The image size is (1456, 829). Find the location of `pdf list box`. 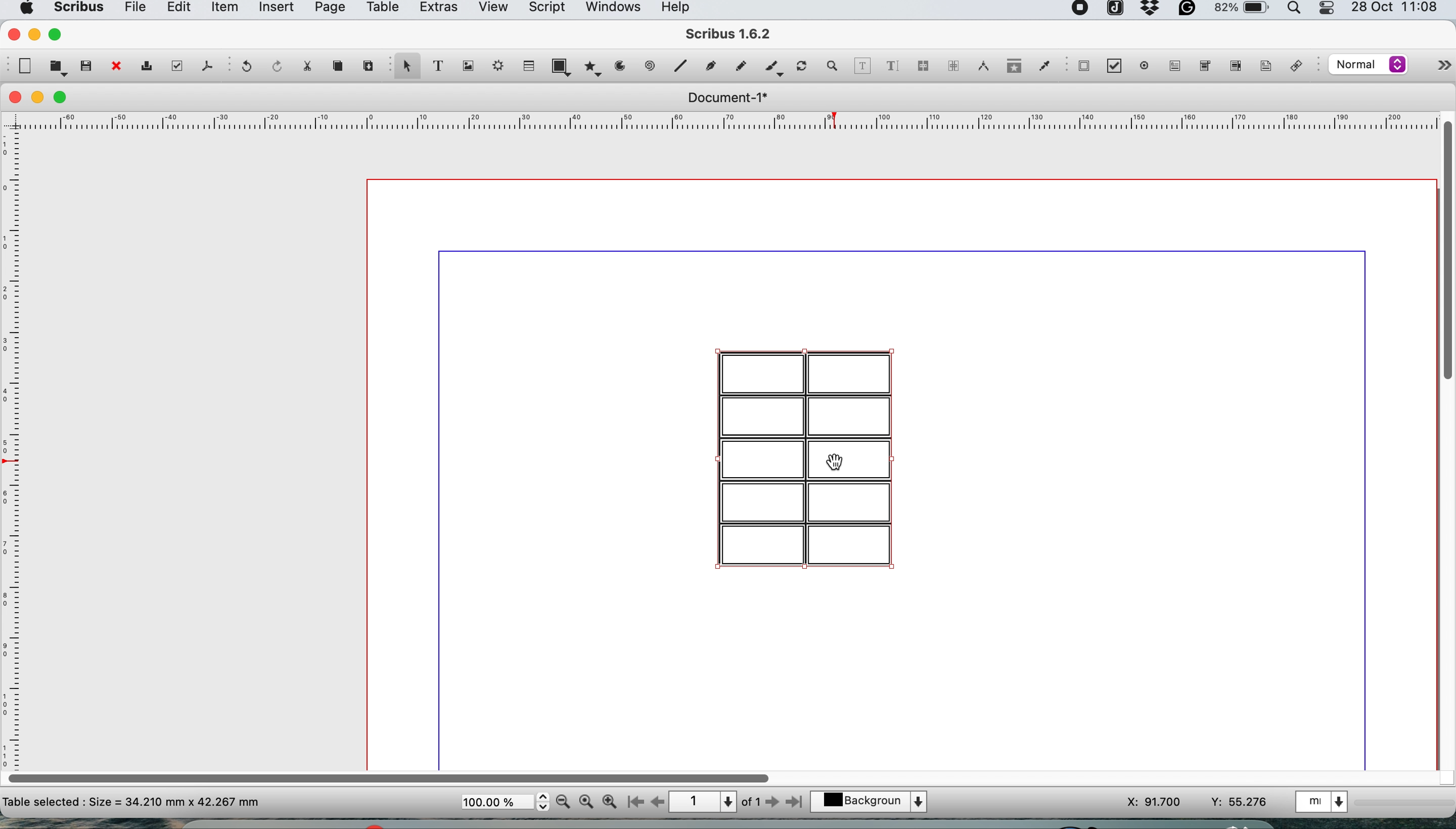

pdf list box is located at coordinates (1234, 68).